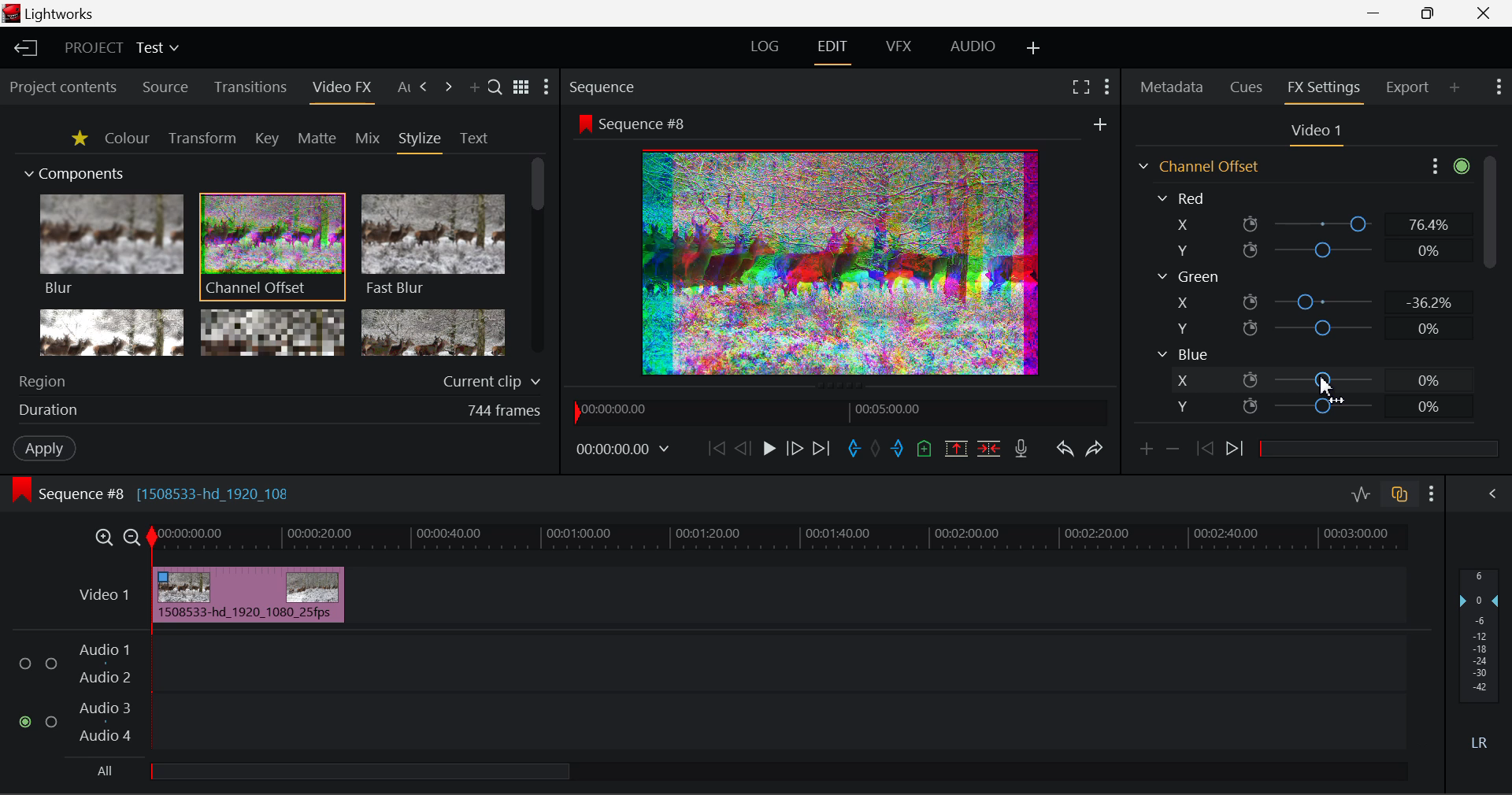 The width and height of the screenshot is (1512, 795). Describe the element at coordinates (473, 139) in the screenshot. I see `Text` at that location.